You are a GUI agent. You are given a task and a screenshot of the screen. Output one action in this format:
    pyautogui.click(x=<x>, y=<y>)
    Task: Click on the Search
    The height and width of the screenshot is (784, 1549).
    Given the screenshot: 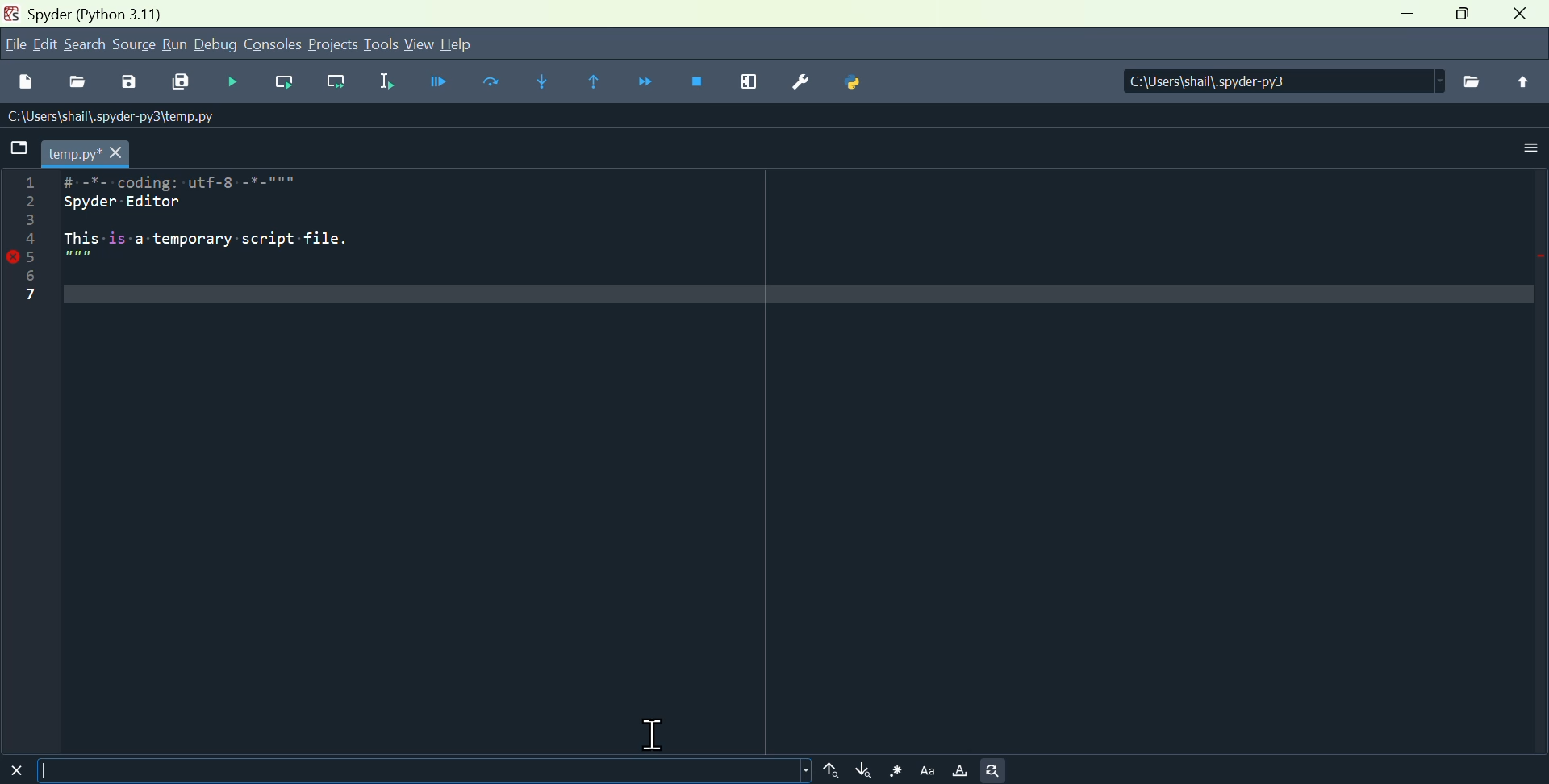 What is the action you would take?
    pyautogui.click(x=87, y=46)
    